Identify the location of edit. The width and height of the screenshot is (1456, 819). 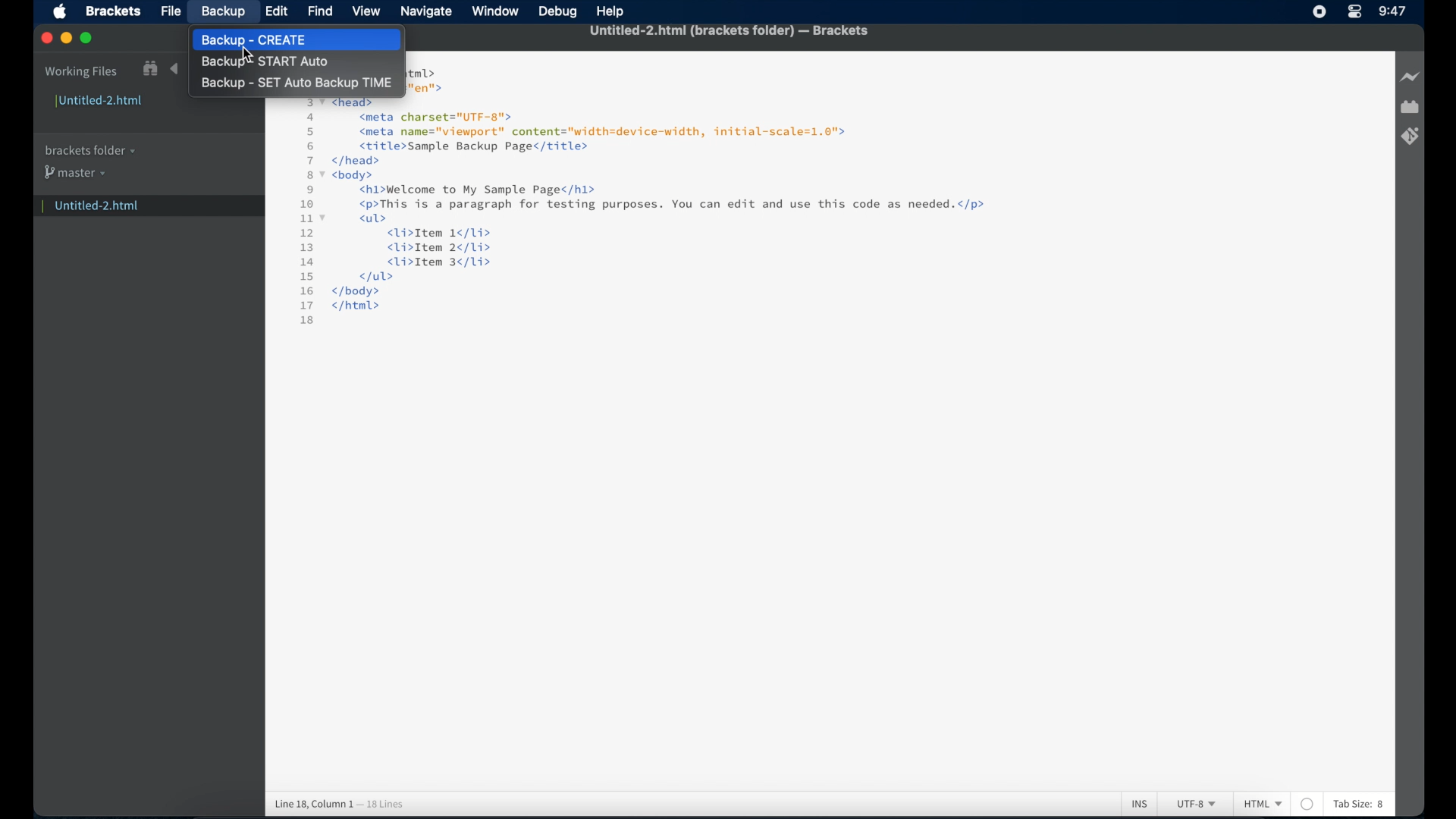
(277, 11).